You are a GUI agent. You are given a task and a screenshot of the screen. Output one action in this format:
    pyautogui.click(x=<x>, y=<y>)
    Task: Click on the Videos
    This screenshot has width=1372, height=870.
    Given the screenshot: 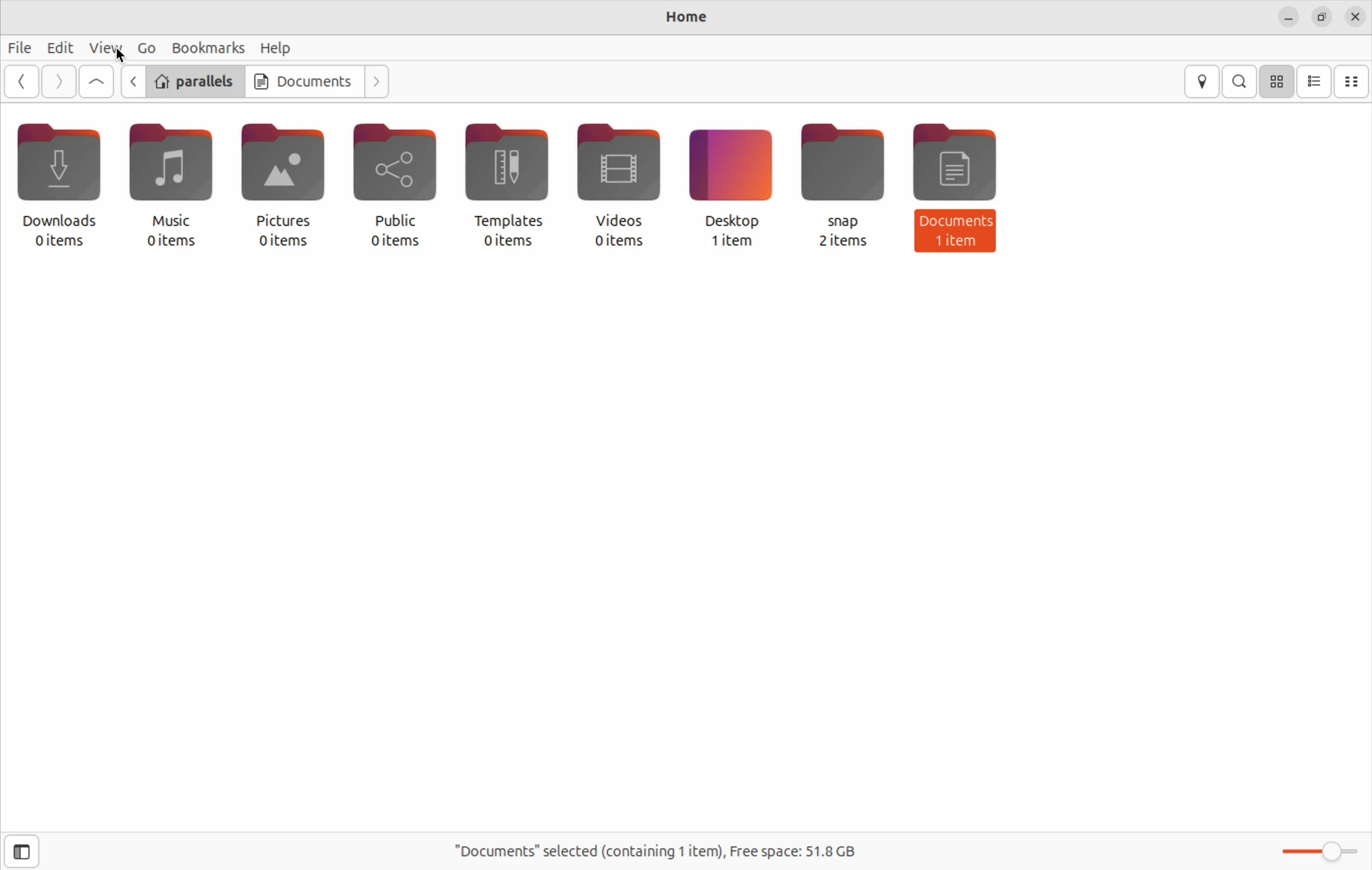 What is the action you would take?
    pyautogui.click(x=618, y=171)
    